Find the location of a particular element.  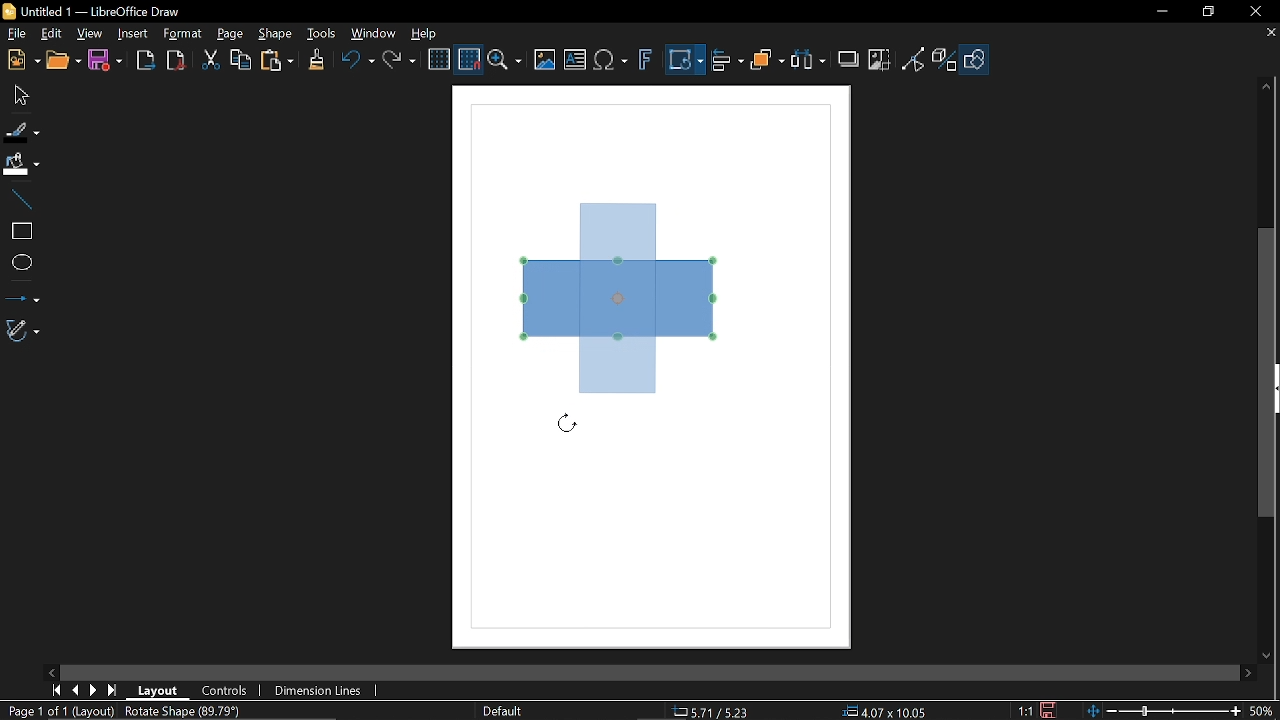

Page 1 of 1 (Layout) is located at coordinates (60, 712).